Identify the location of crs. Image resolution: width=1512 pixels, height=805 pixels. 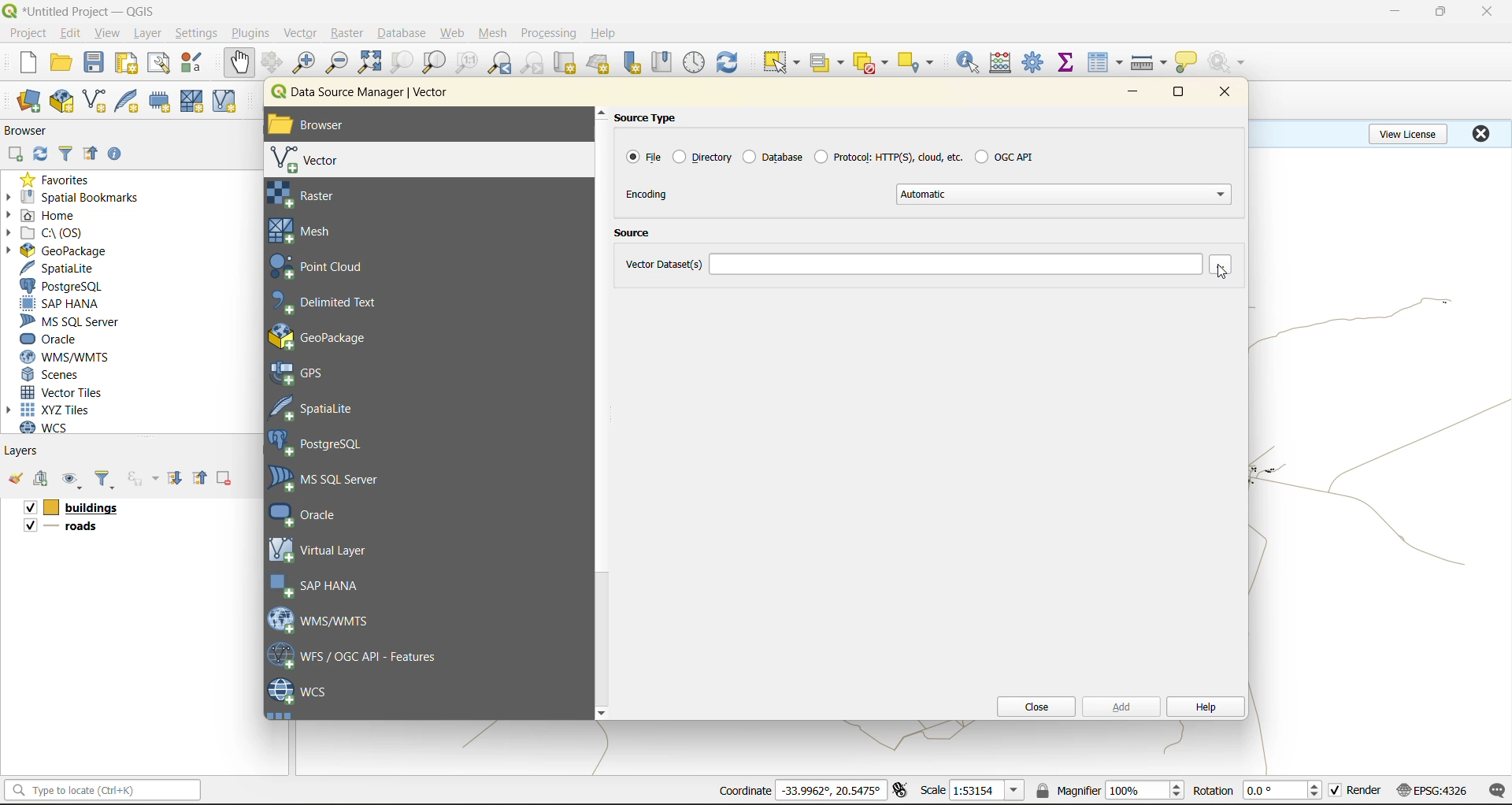
(1432, 789).